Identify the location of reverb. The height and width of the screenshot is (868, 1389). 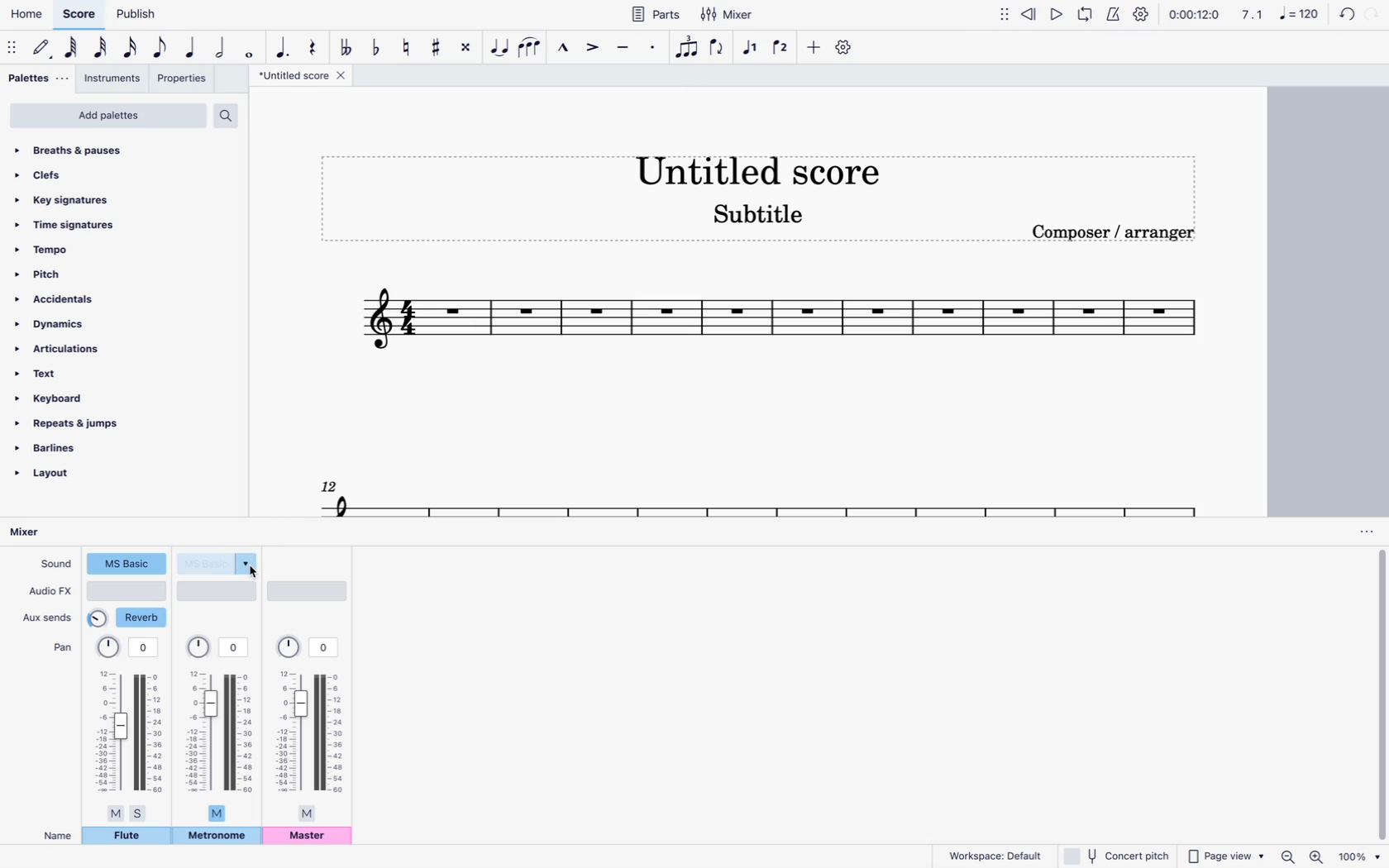
(129, 618).